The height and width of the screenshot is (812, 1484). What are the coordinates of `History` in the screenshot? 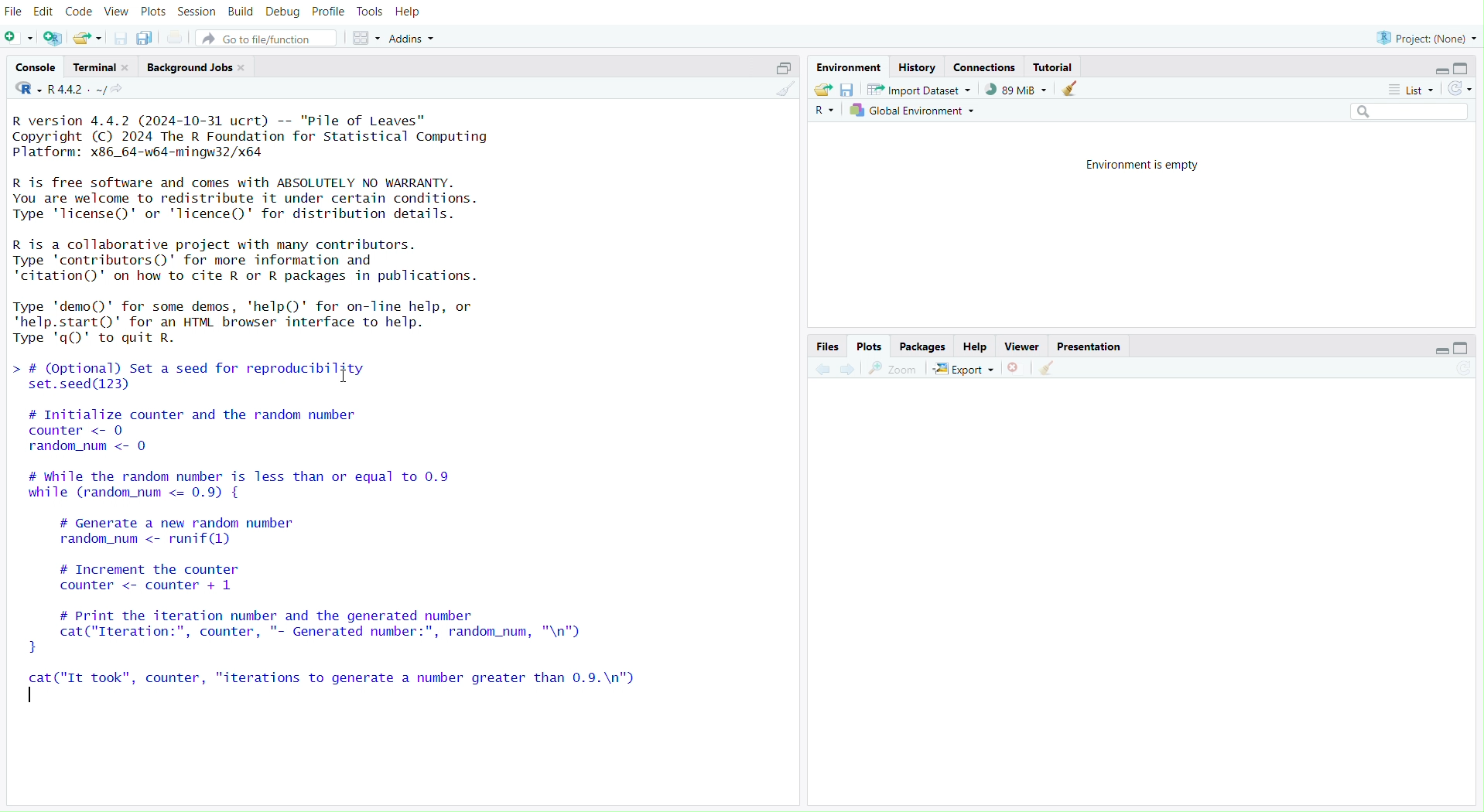 It's located at (922, 65).